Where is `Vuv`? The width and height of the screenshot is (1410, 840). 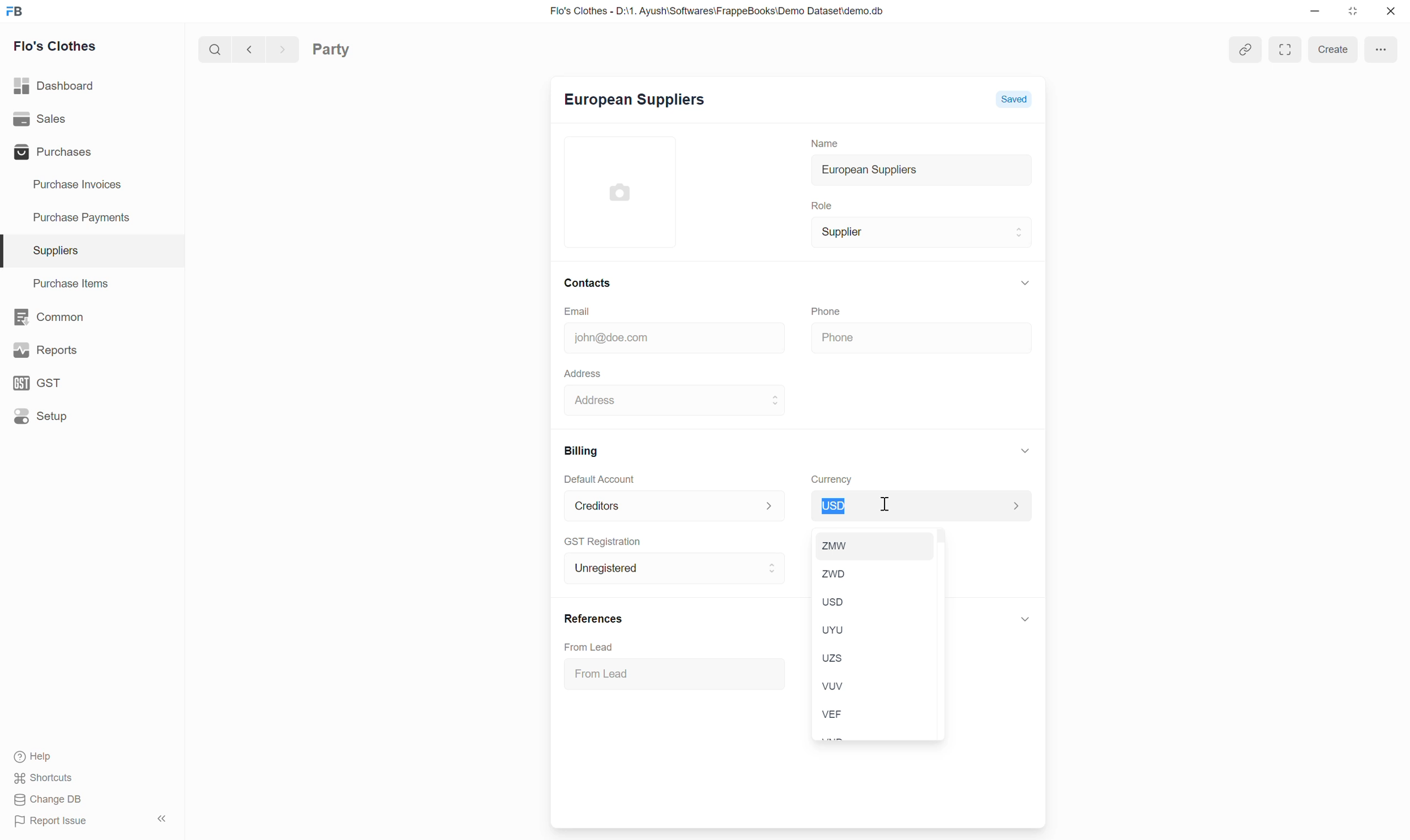 Vuv is located at coordinates (834, 686).